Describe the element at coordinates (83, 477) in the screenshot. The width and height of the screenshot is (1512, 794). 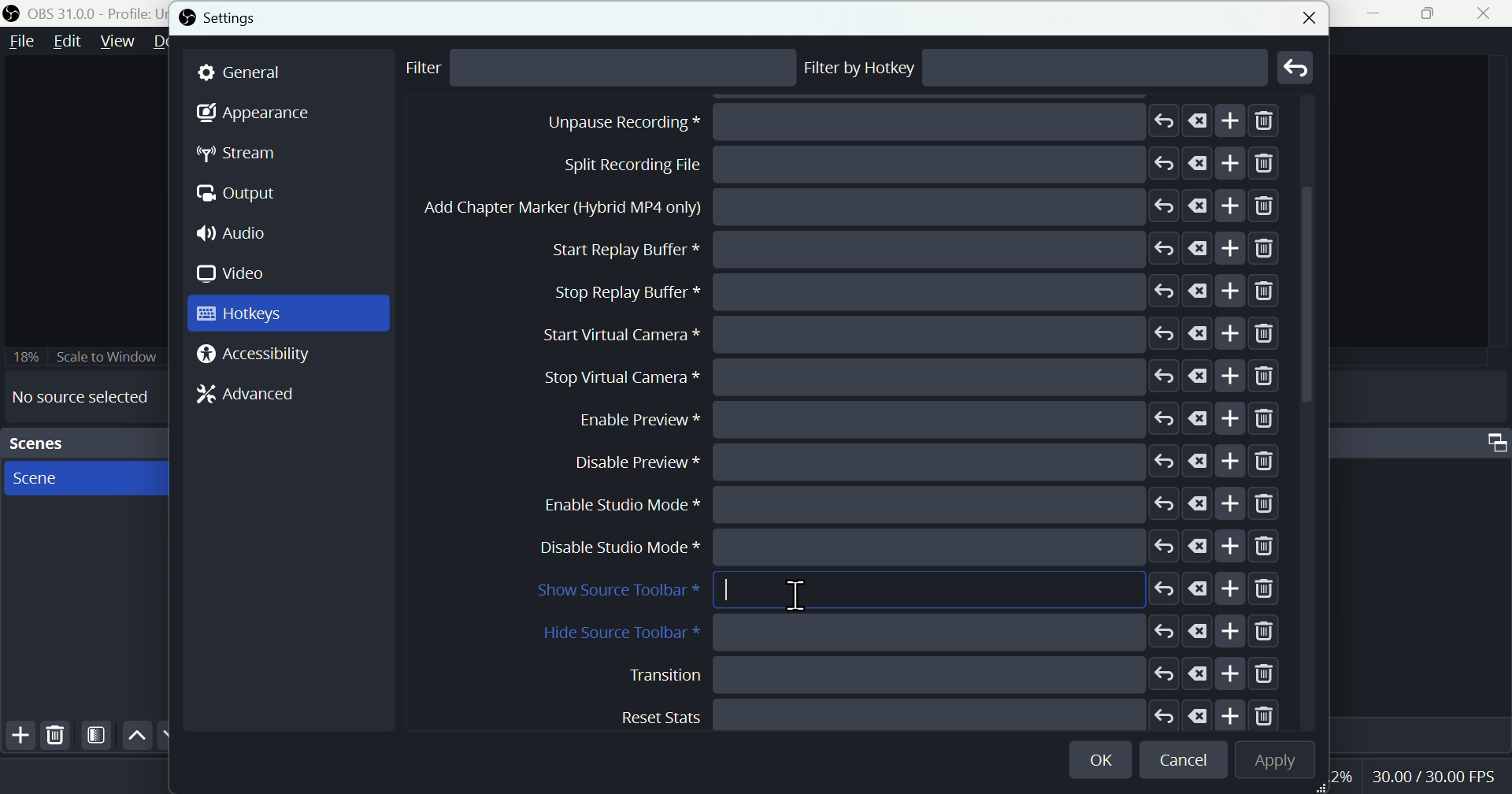
I see `scenes` at that location.